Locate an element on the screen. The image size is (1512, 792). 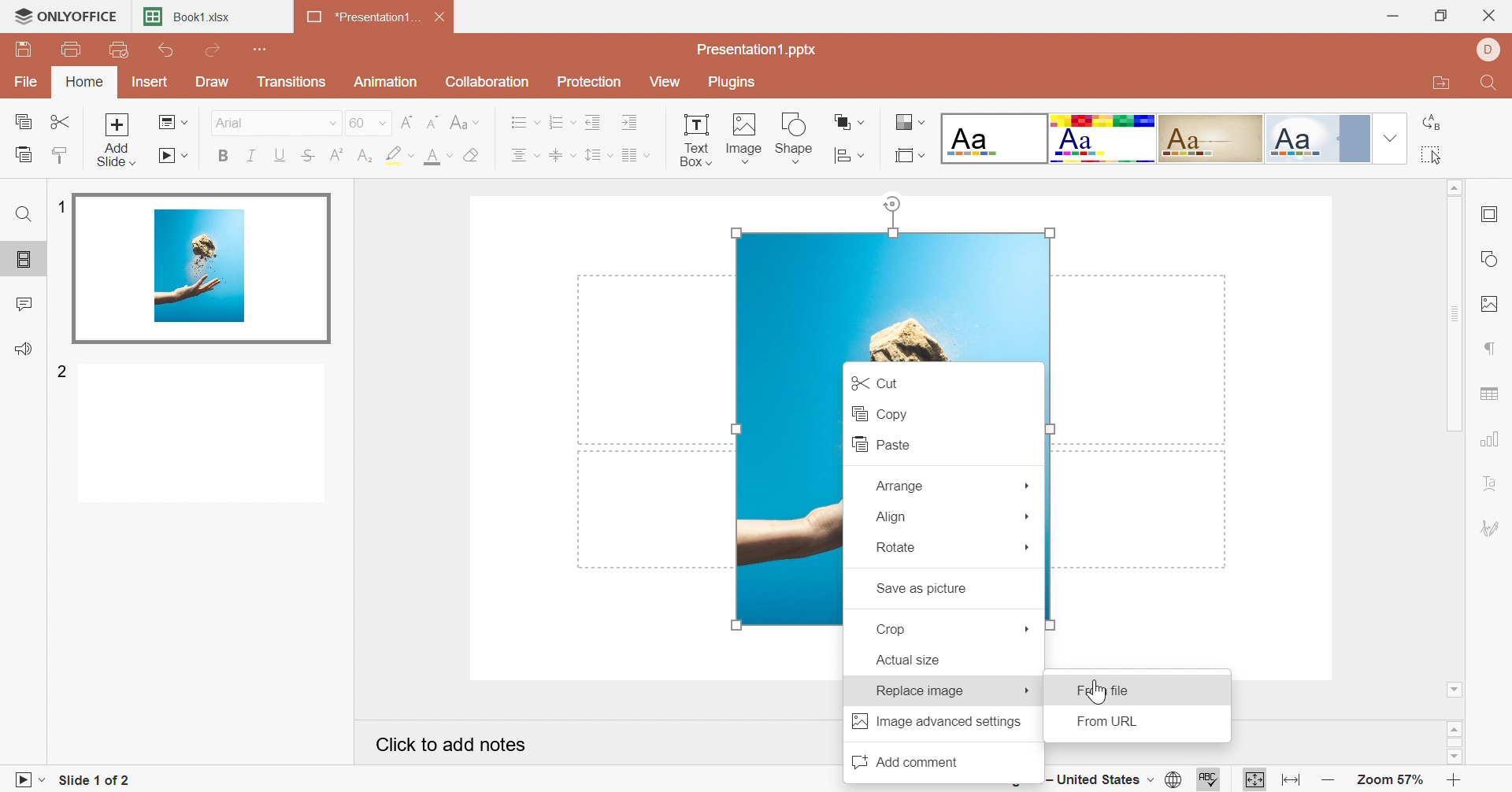
Strikethrough is located at coordinates (308, 156).